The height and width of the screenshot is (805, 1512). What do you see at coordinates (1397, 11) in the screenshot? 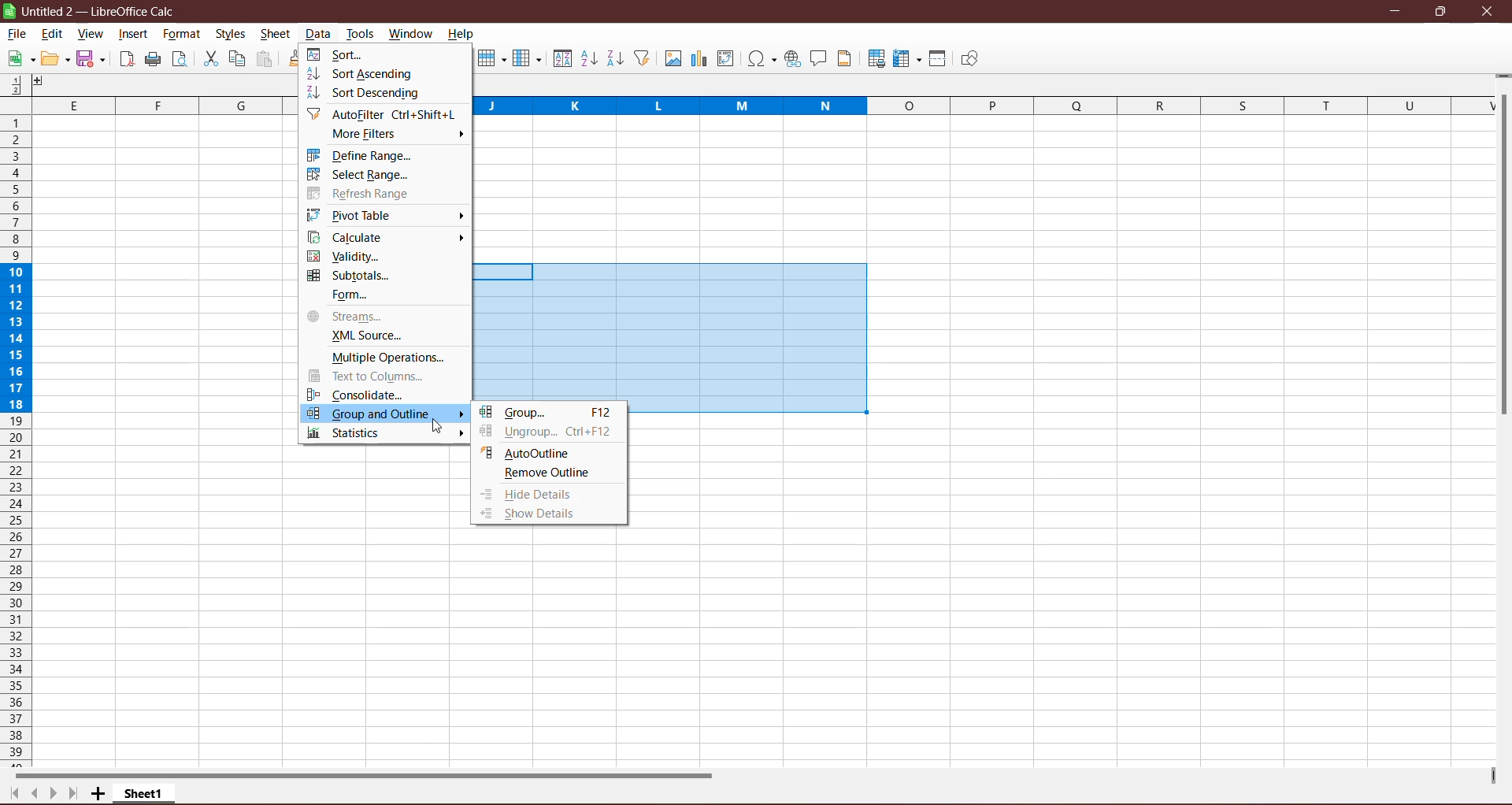
I see `Minimize` at bounding box center [1397, 11].